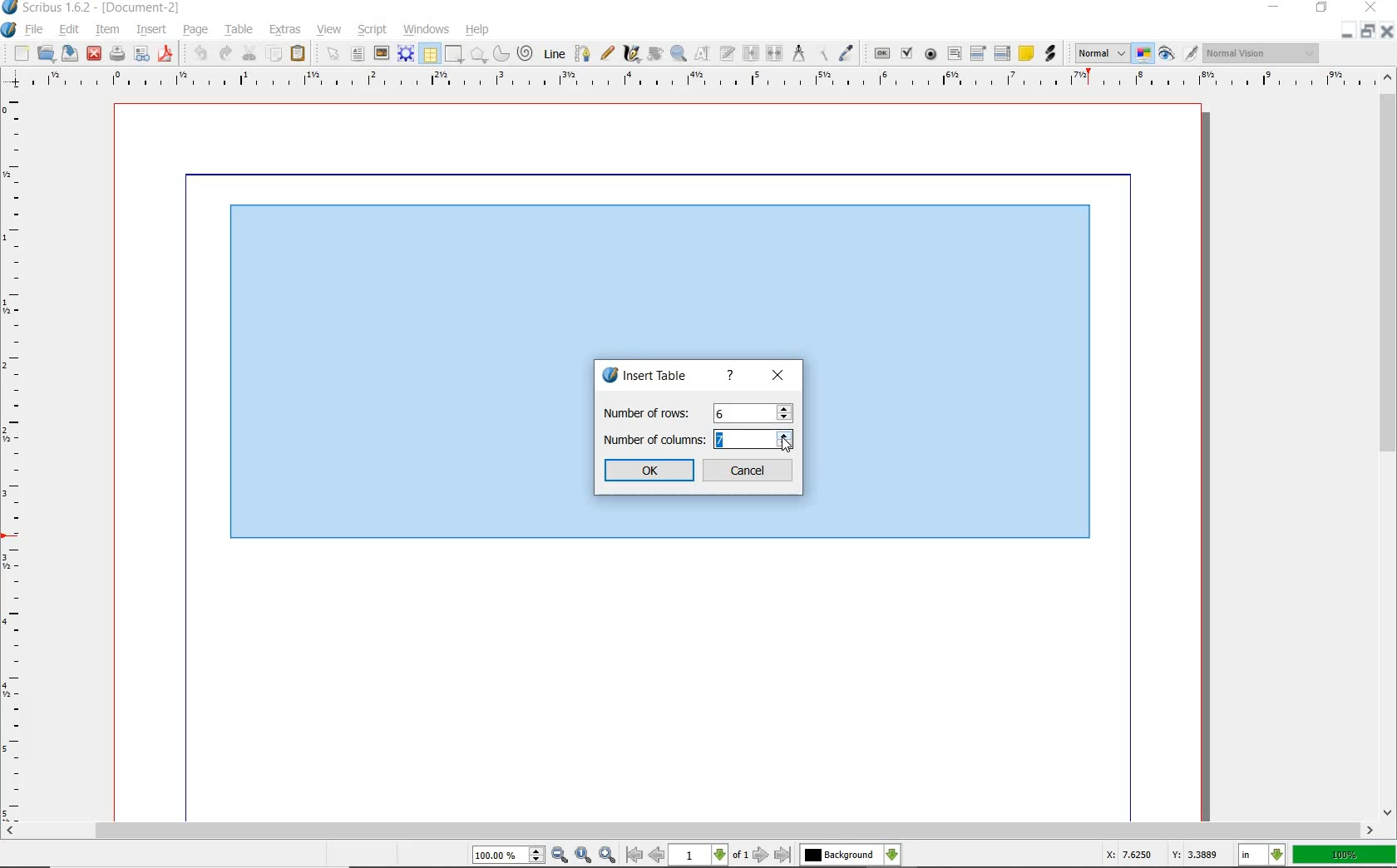 The height and width of the screenshot is (868, 1397). Describe the element at coordinates (731, 375) in the screenshot. I see `help` at that location.